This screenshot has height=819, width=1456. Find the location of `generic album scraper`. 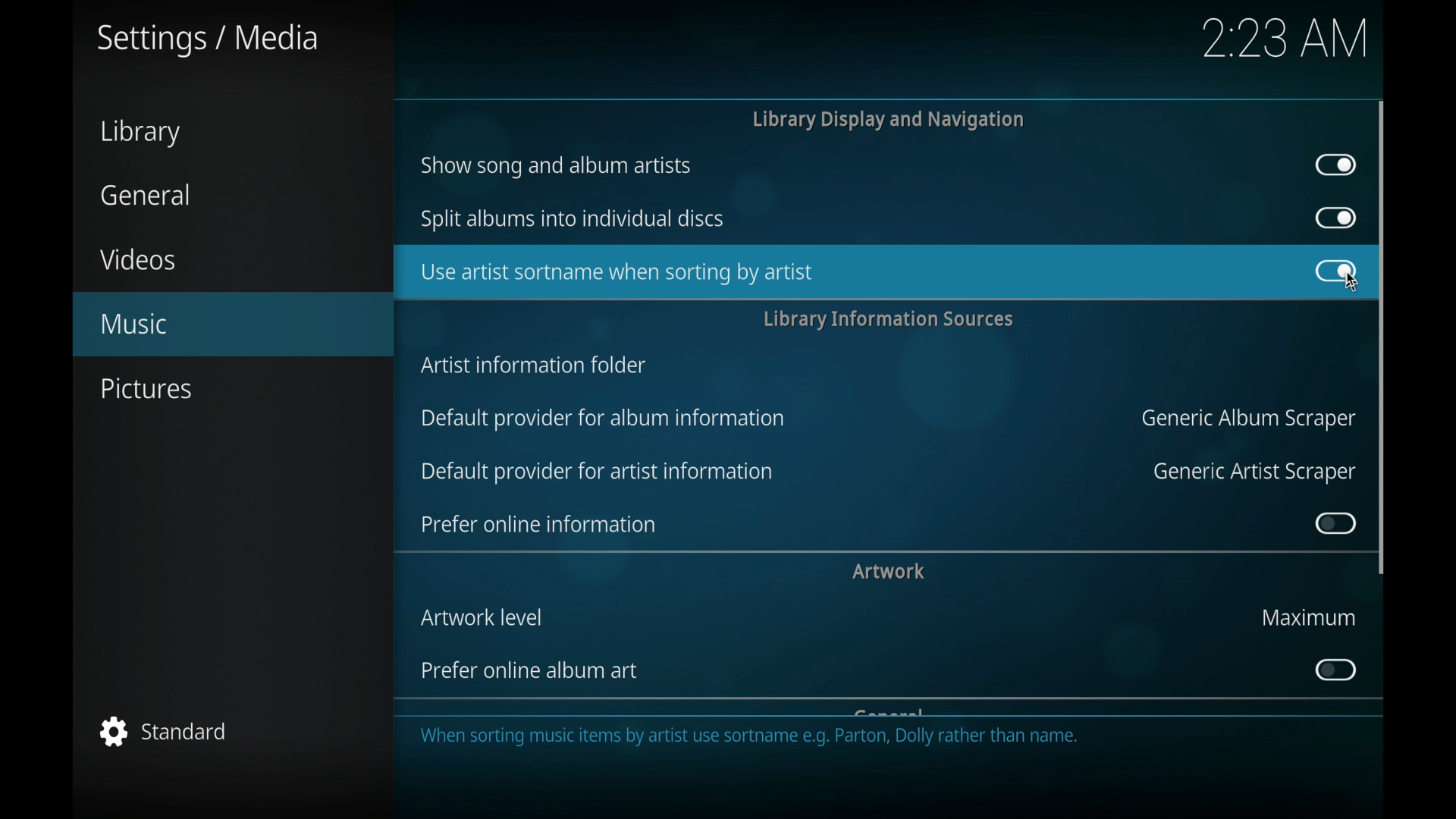

generic album scraper is located at coordinates (1245, 419).